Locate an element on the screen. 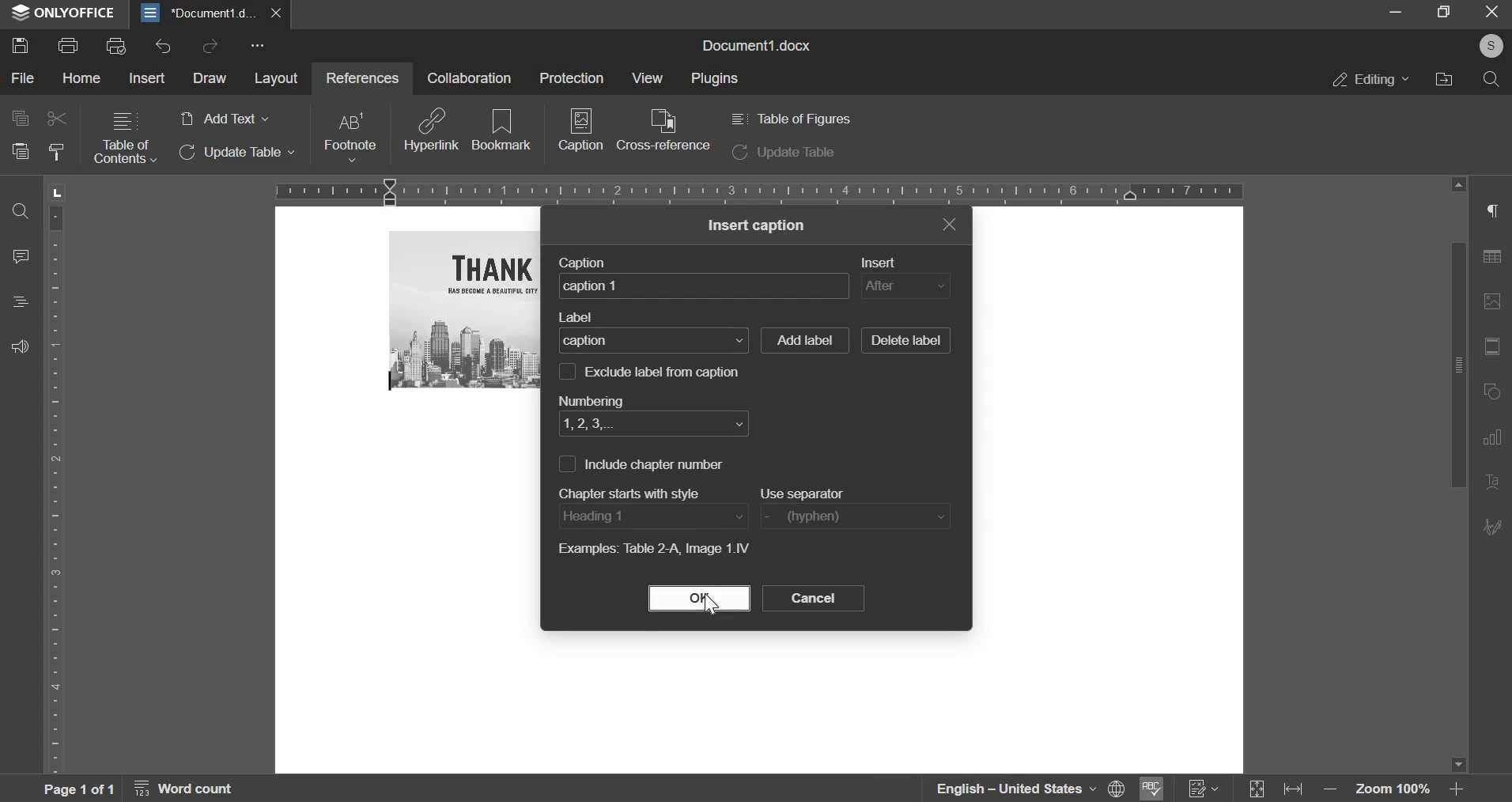  heading is located at coordinates (21, 301).